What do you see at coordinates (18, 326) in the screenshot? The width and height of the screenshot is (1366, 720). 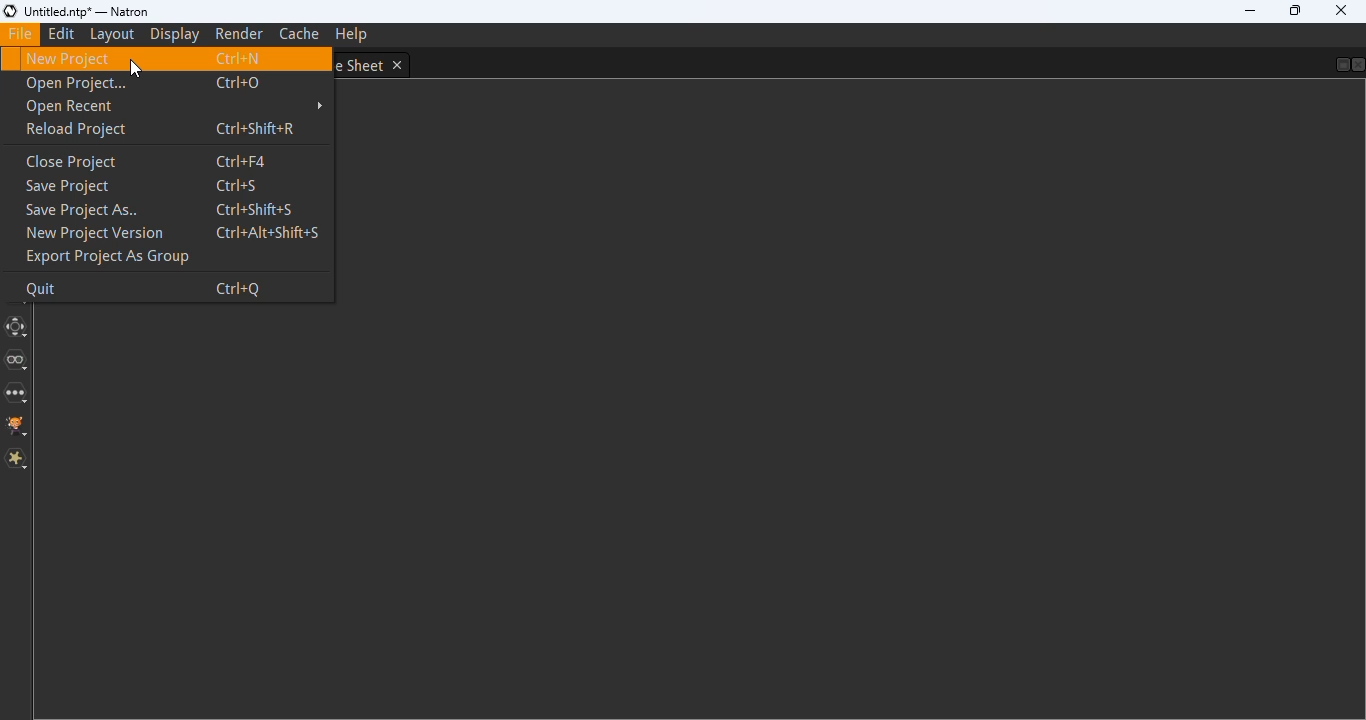 I see `transform` at bounding box center [18, 326].